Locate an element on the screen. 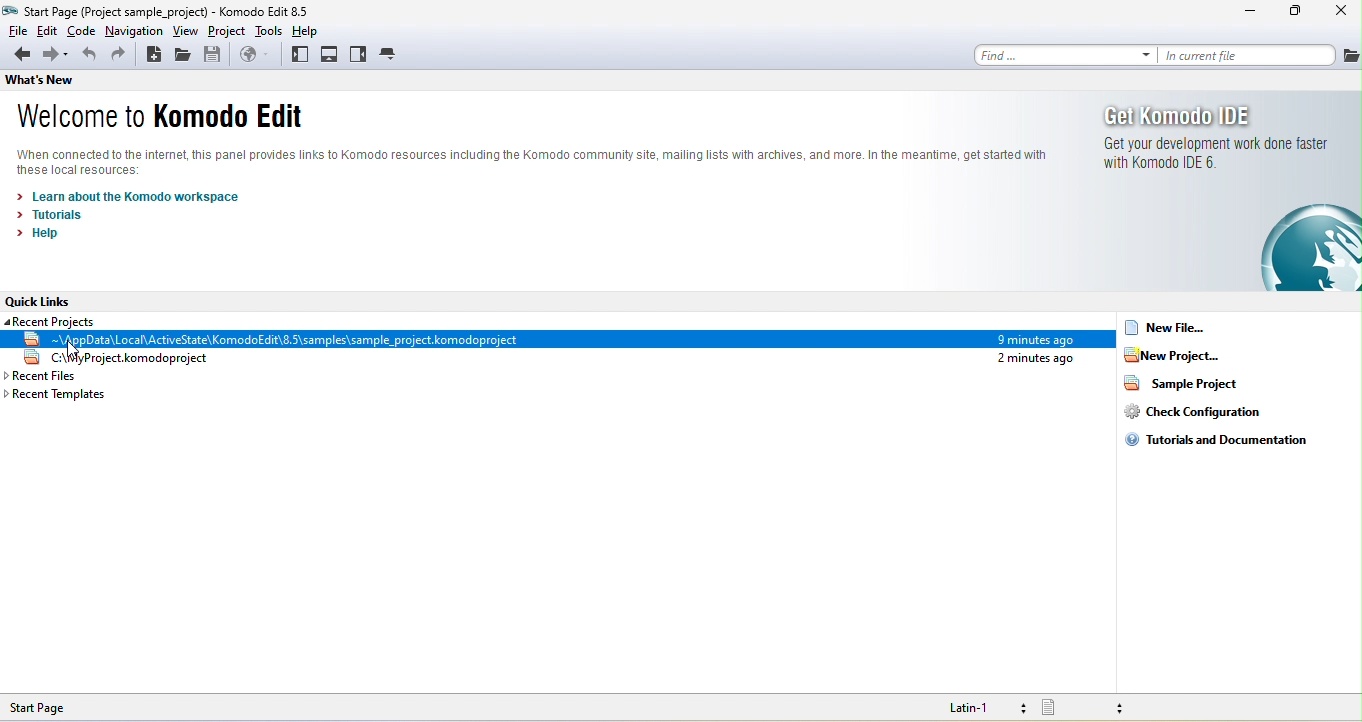 This screenshot has height=722, width=1362. maximize is located at coordinates (1293, 13).